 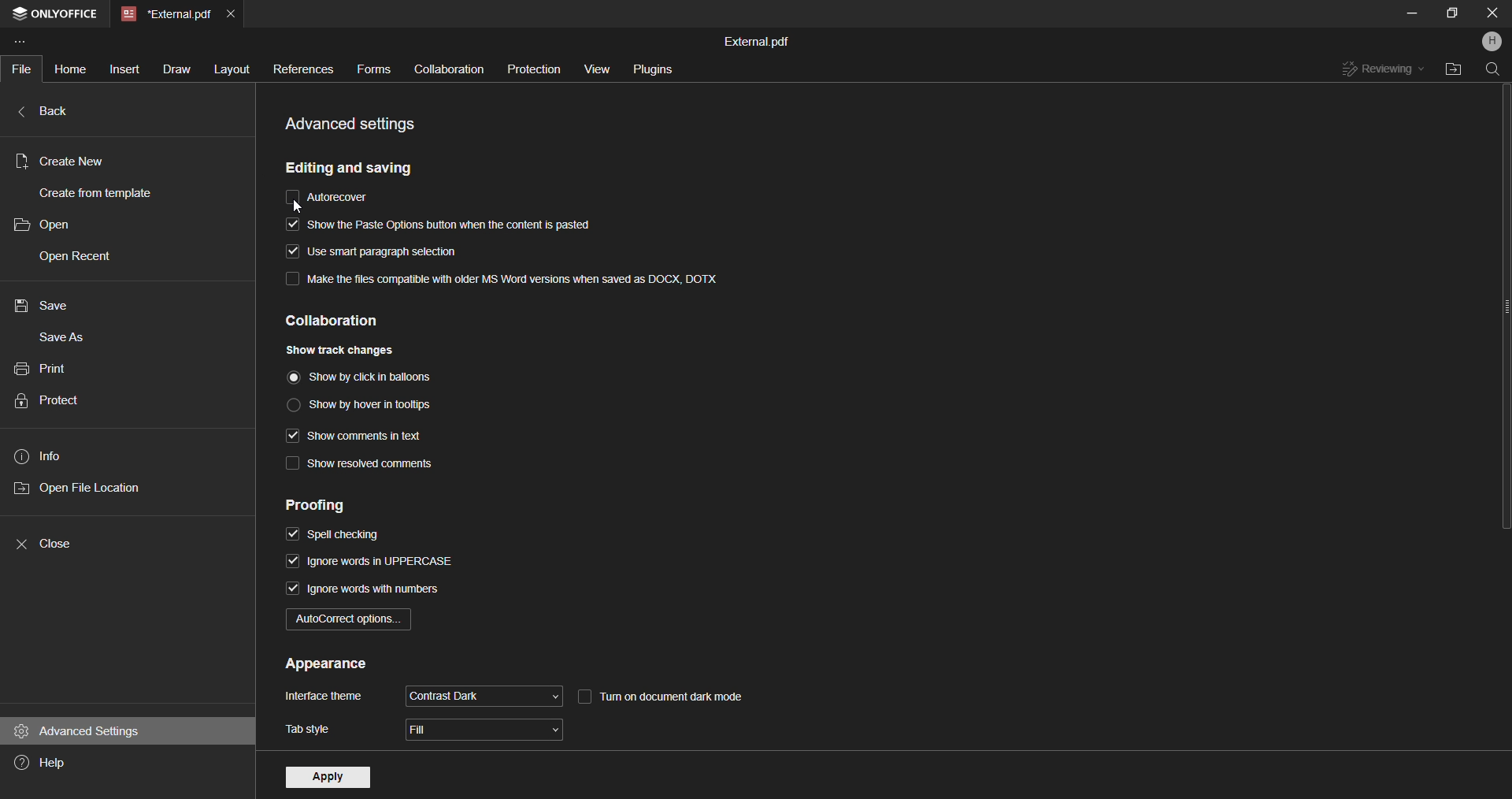 I want to click on proofing, so click(x=332, y=505).